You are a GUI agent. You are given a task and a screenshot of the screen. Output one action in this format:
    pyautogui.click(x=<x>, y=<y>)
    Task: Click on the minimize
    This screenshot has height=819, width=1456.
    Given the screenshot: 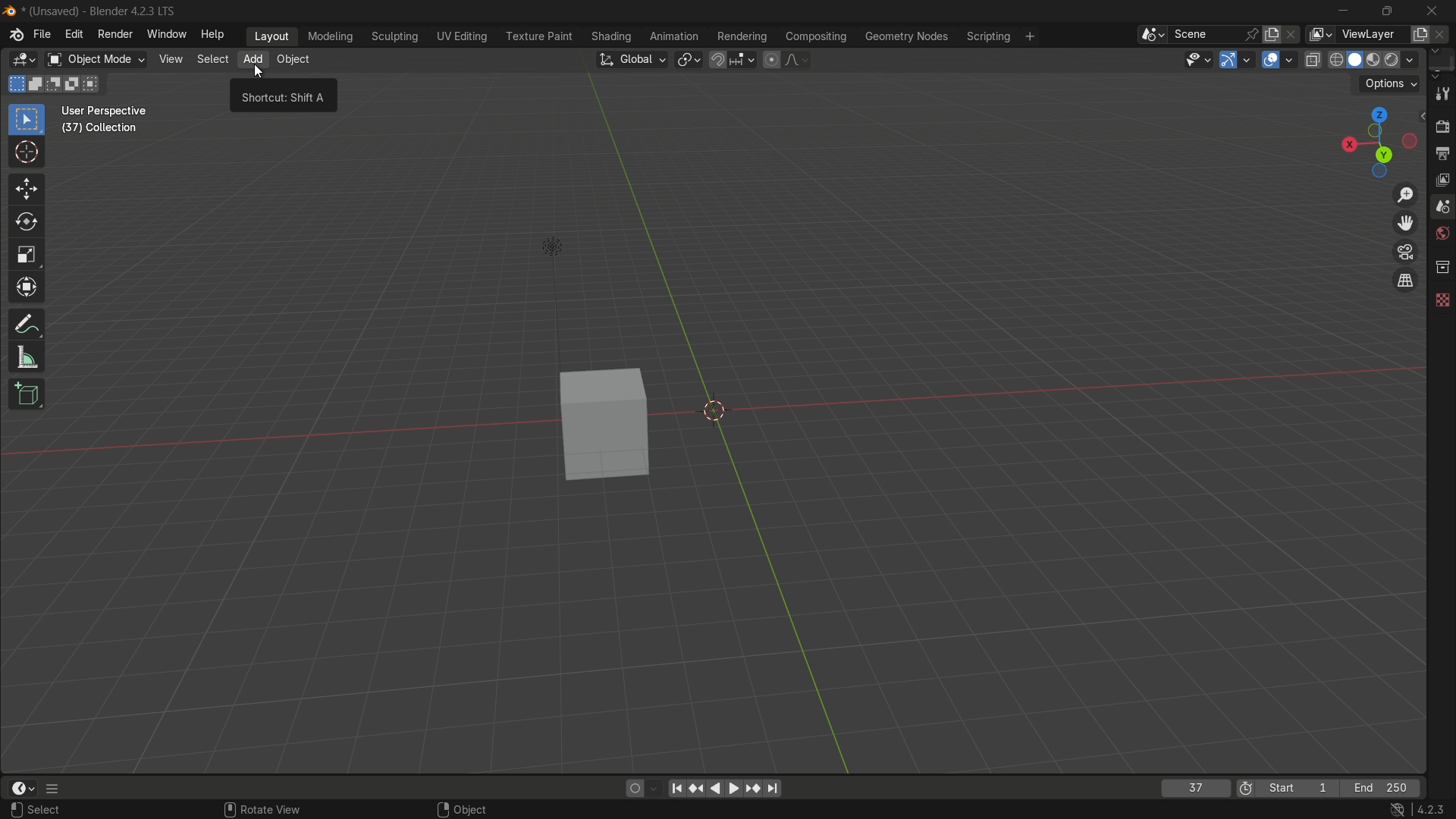 What is the action you would take?
    pyautogui.click(x=1338, y=11)
    